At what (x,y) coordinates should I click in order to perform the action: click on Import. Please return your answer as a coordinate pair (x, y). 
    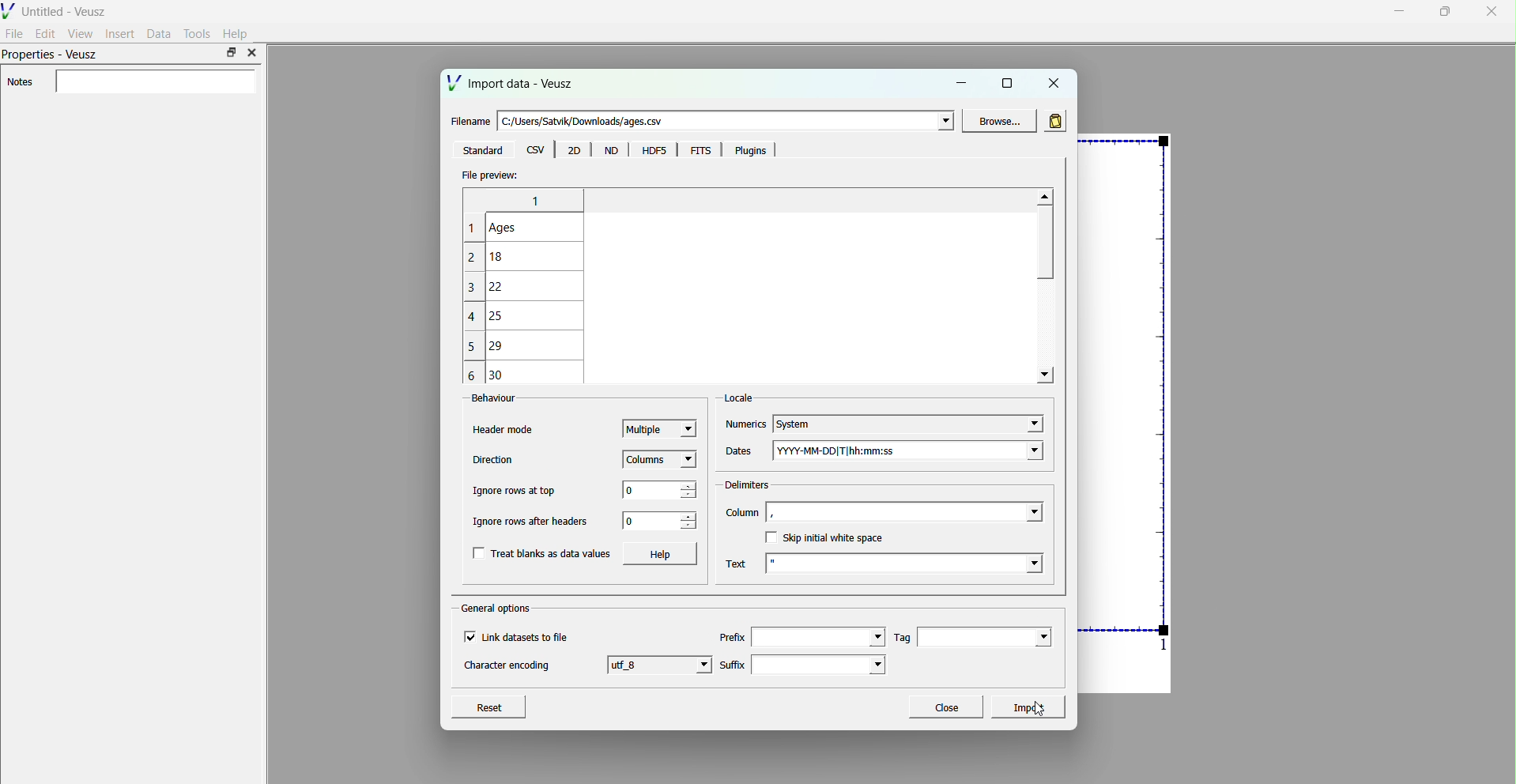
    Looking at the image, I should click on (1031, 707).